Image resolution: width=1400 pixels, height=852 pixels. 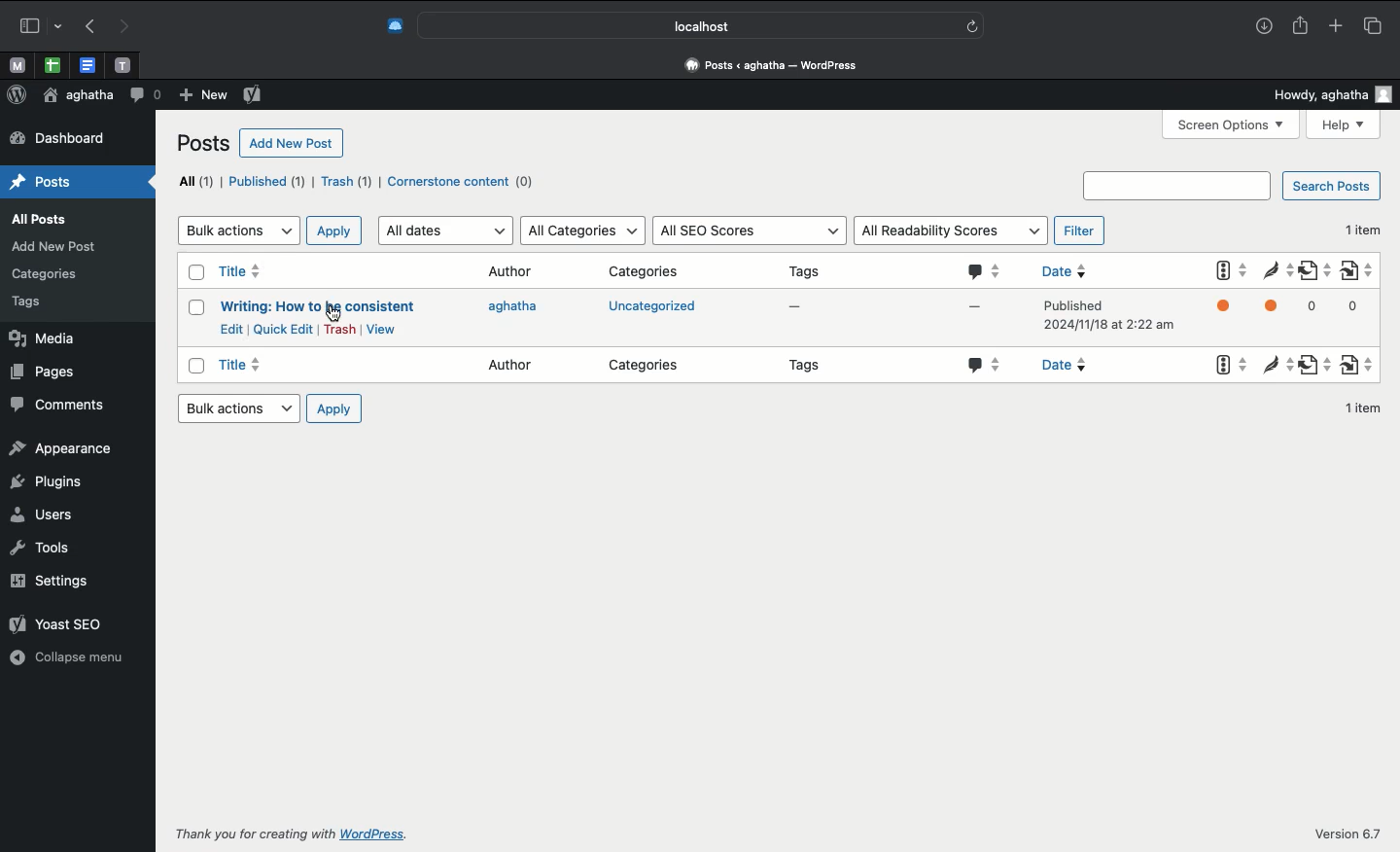 I want to click on pages, so click(x=43, y=373).